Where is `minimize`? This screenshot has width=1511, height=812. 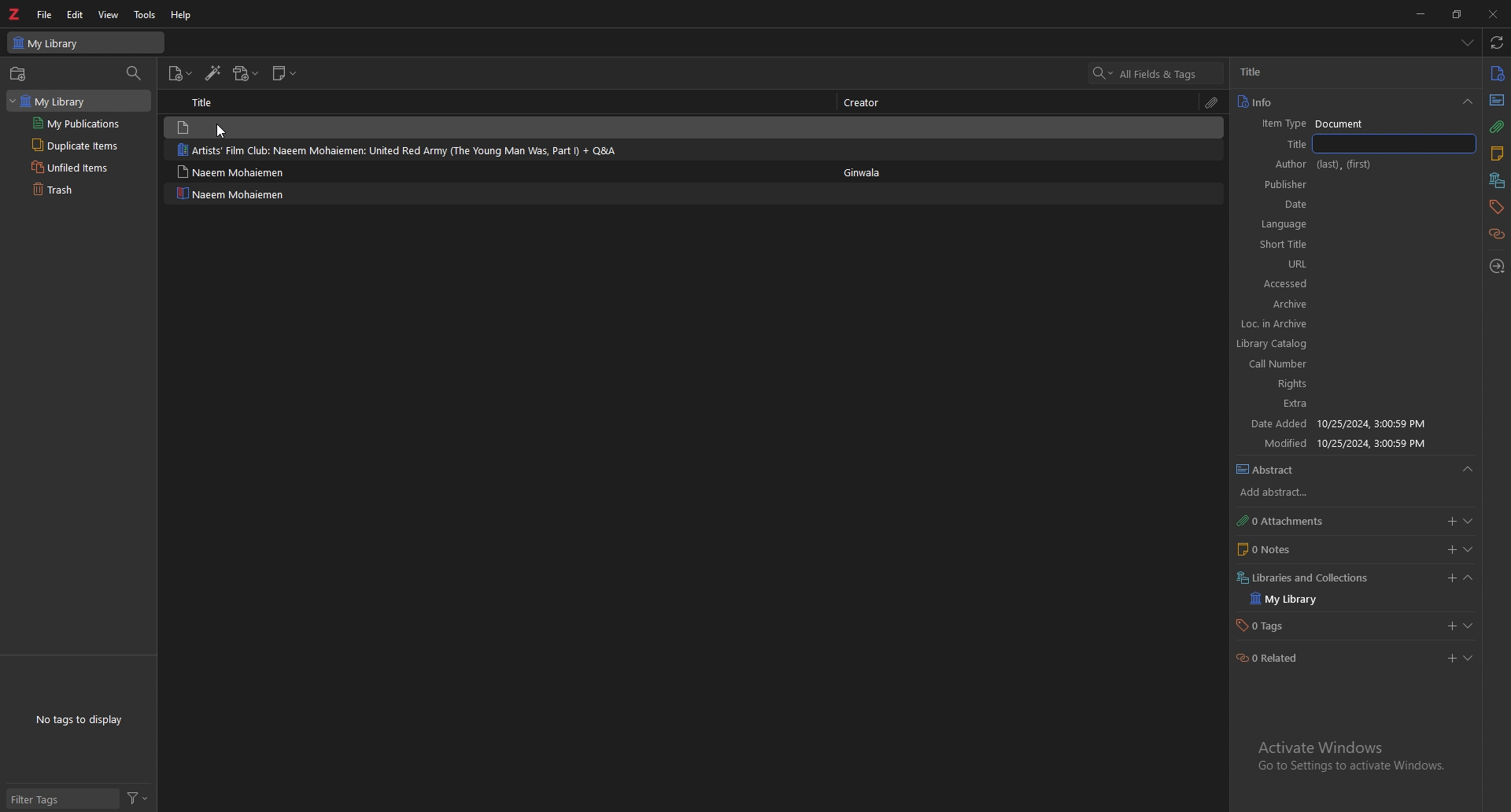 minimize is located at coordinates (1422, 13).